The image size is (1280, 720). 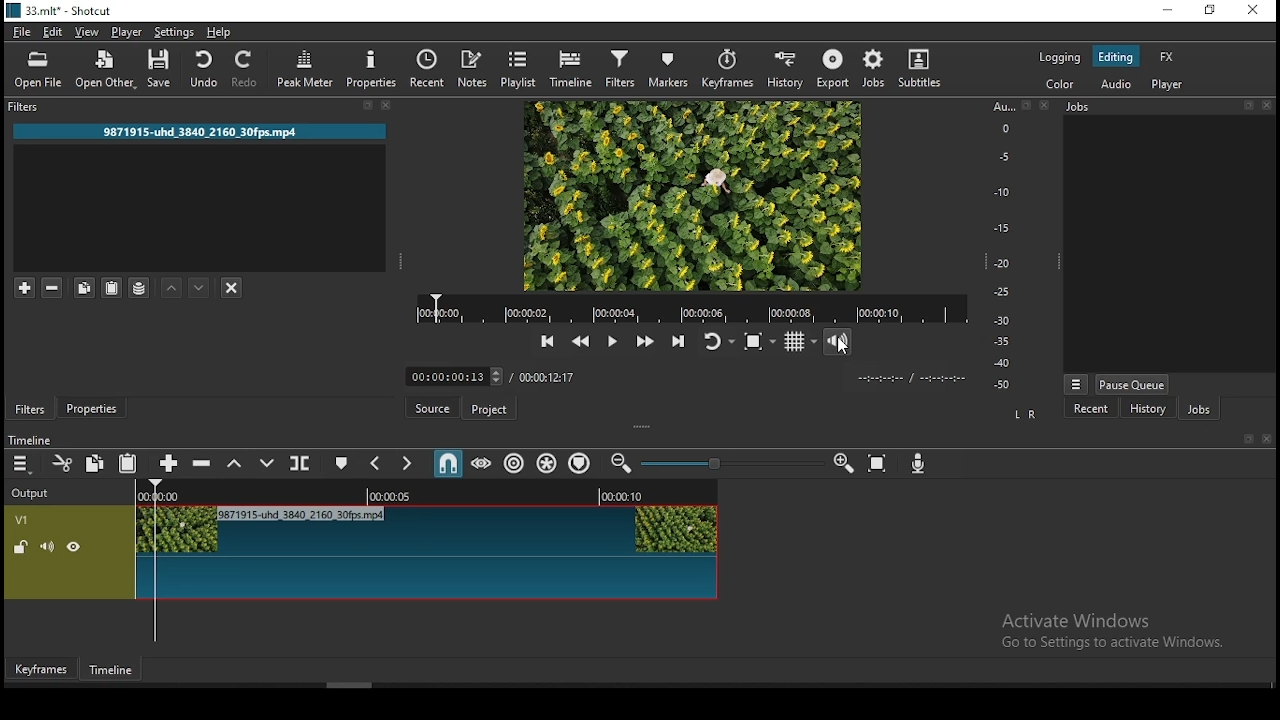 What do you see at coordinates (784, 68) in the screenshot?
I see `history` at bounding box center [784, 68].